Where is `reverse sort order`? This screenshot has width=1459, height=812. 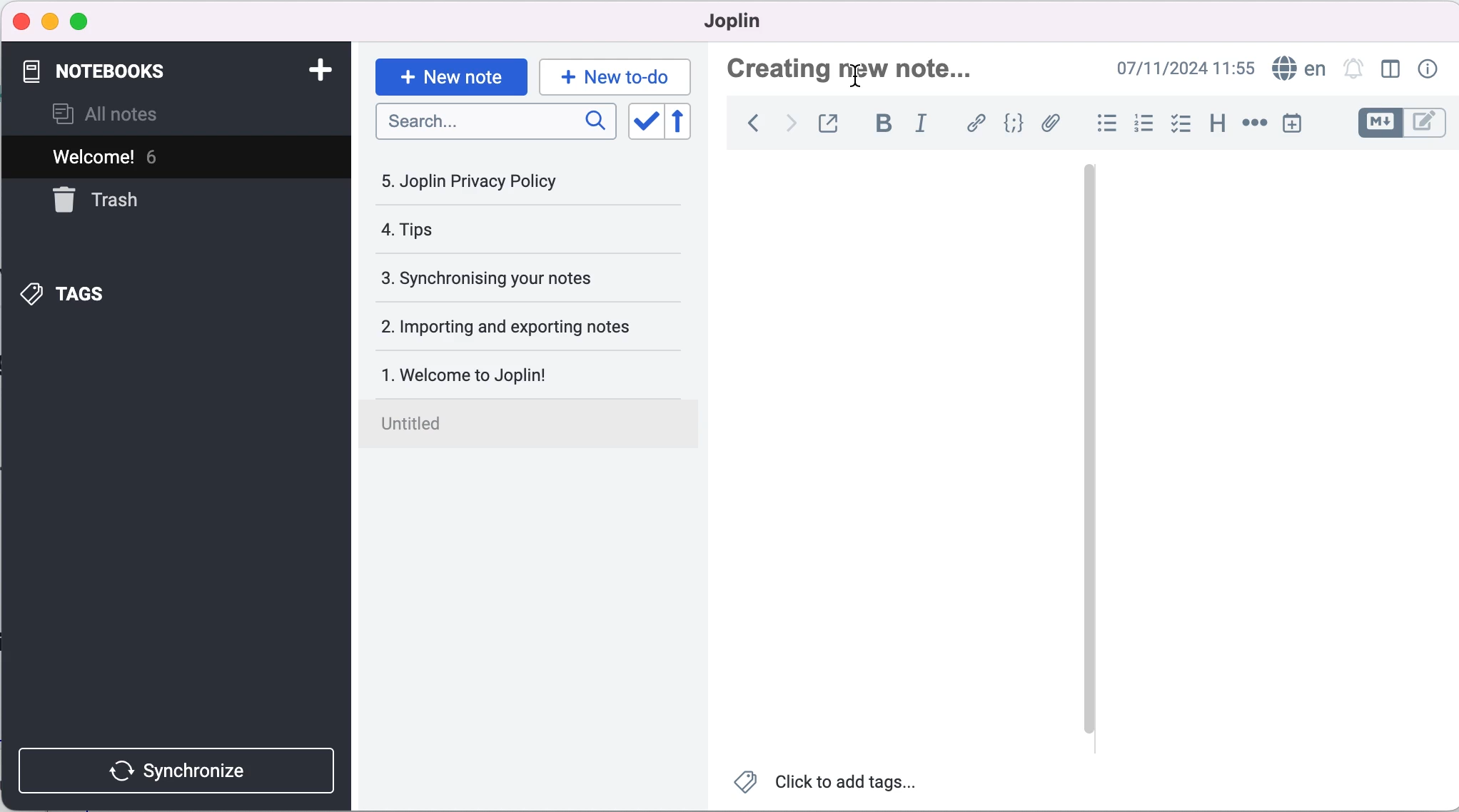 reverse sort order is located at coordinates (690, 122).